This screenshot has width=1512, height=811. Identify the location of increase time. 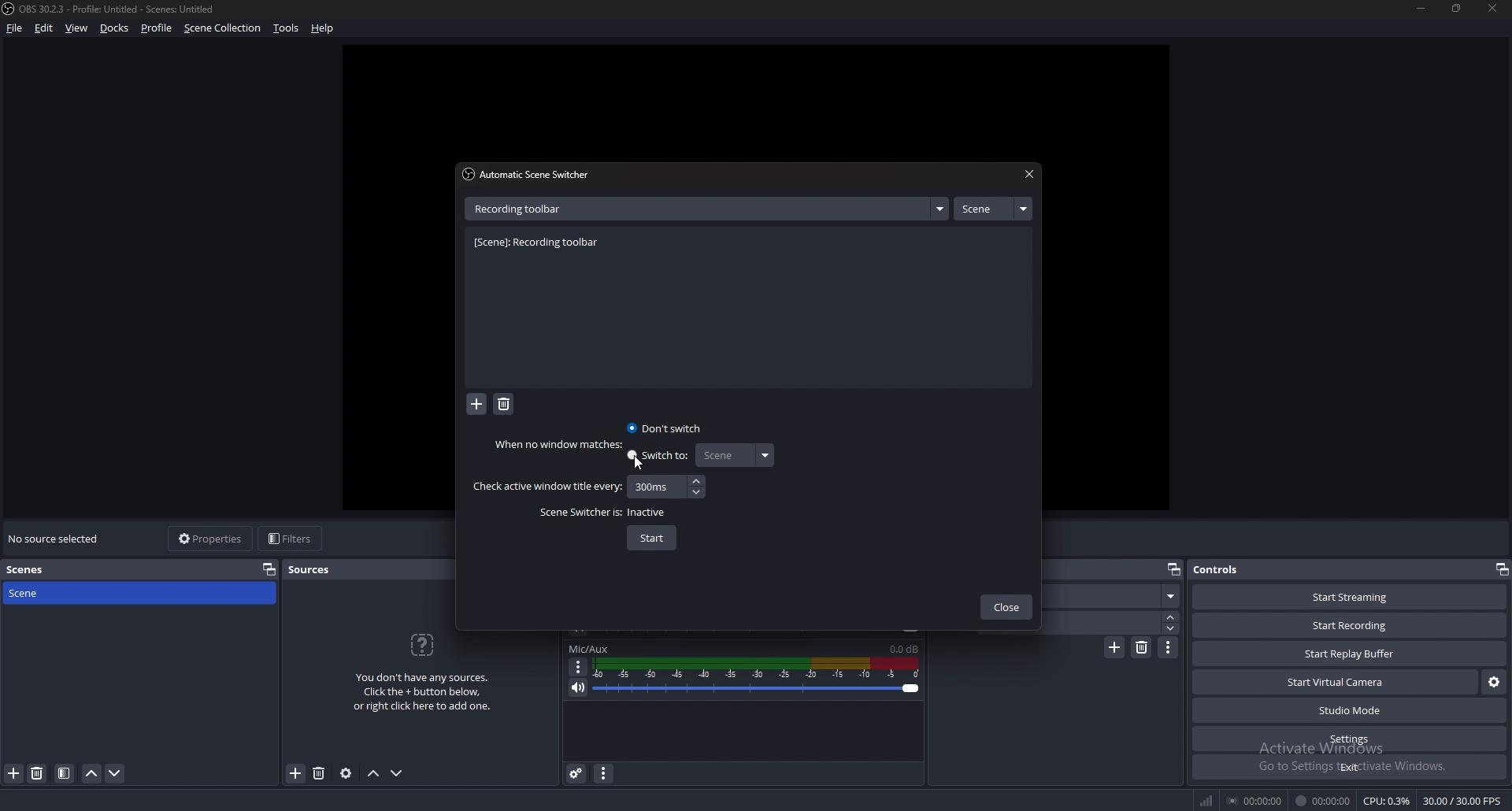
(696, 481).